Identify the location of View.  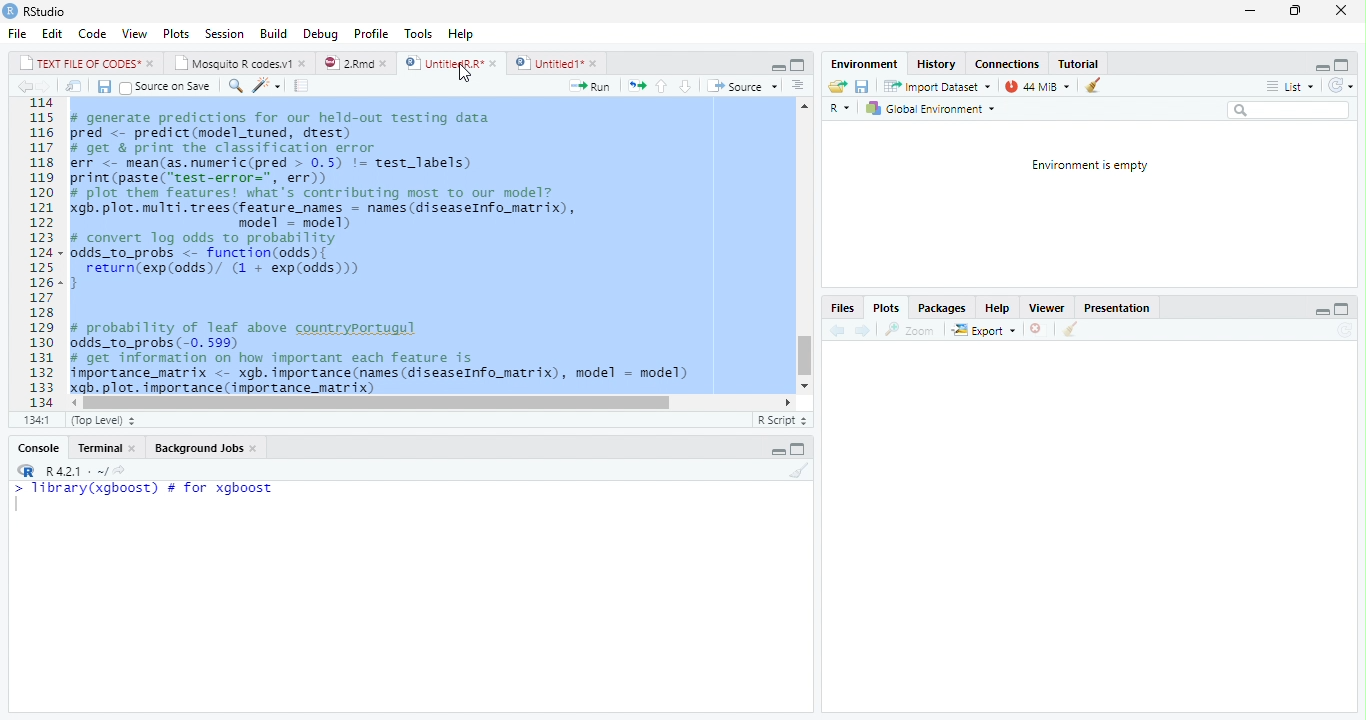
(134, 34).